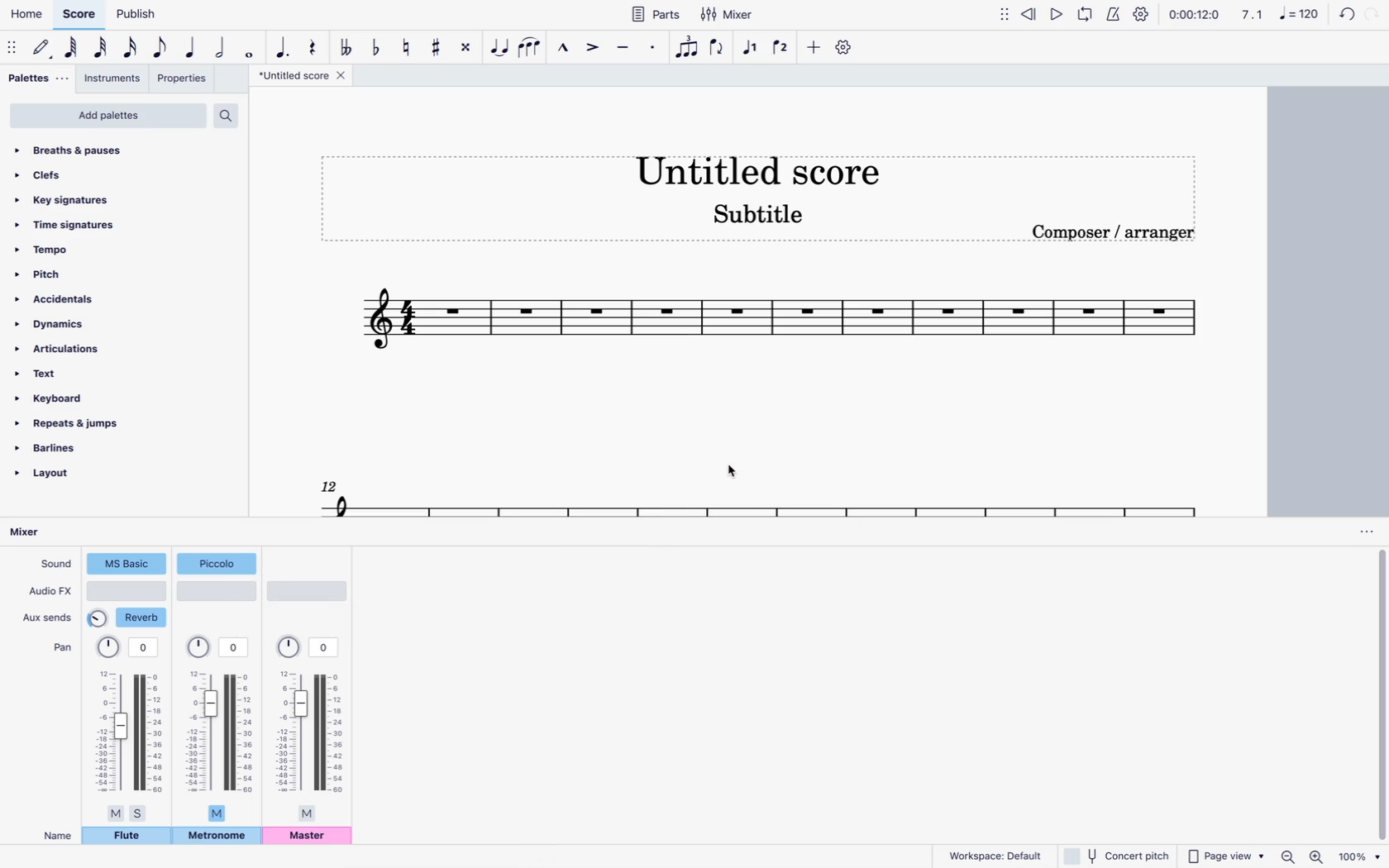  What do you see at coordinates (345, 46) in the screenshot?
I see `toggle double flat` at bounding box center [345, 46].